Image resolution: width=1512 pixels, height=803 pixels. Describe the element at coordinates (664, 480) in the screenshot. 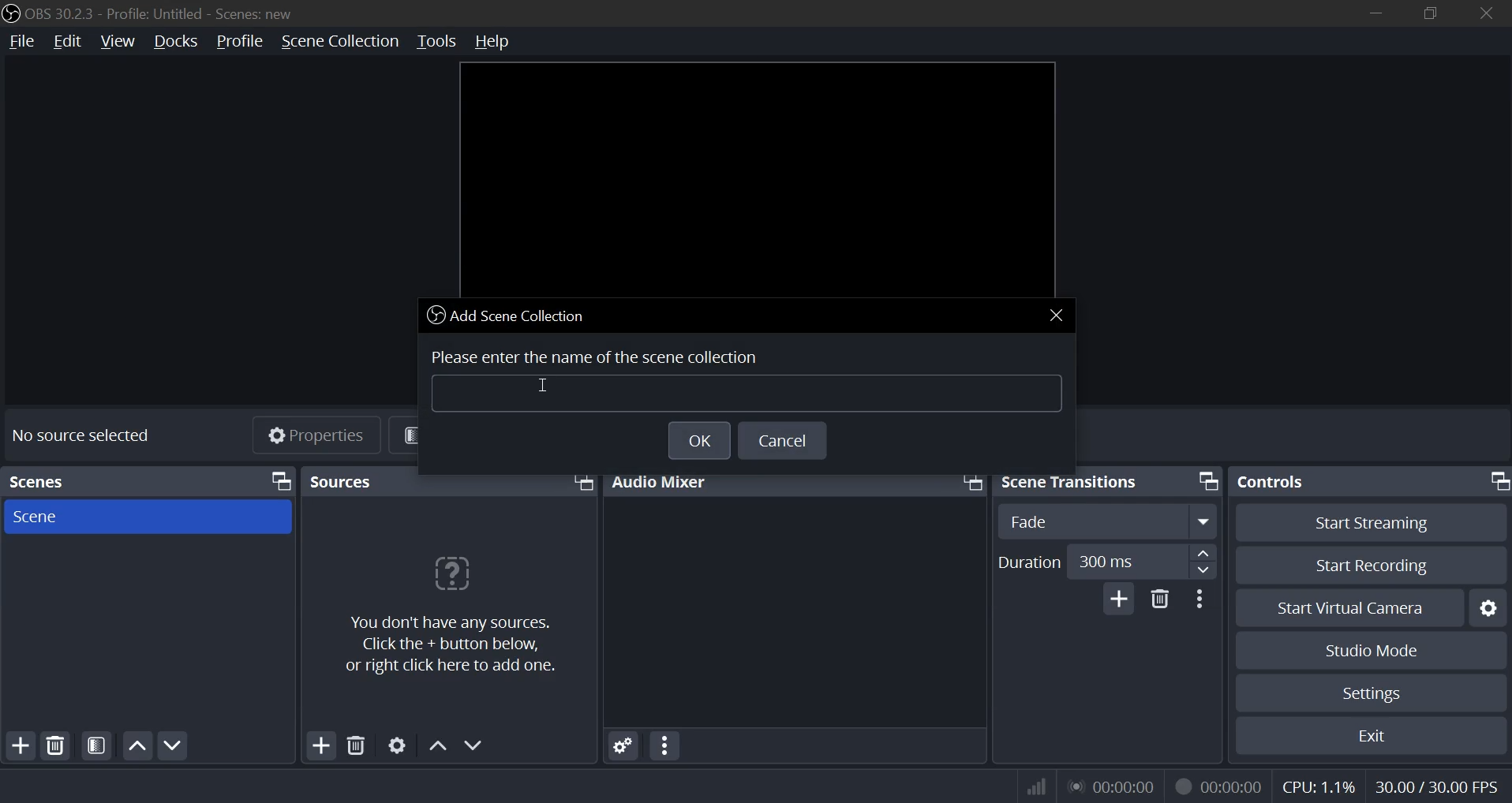

I see `audio mixer` at that location.